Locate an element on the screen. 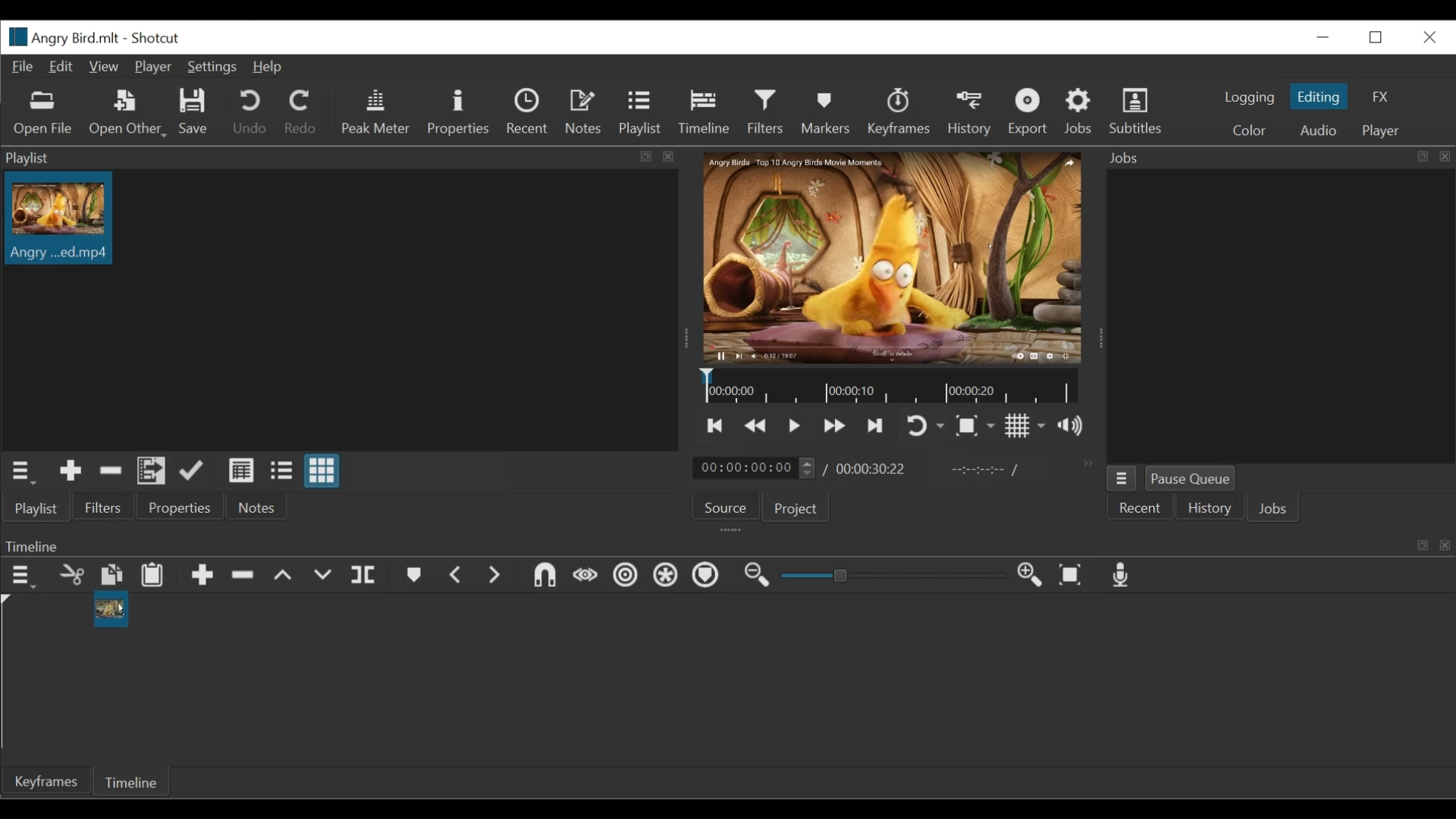 This screenshot has width=1456, height=819. Ripple Delete is located at coordinates (242, 576).